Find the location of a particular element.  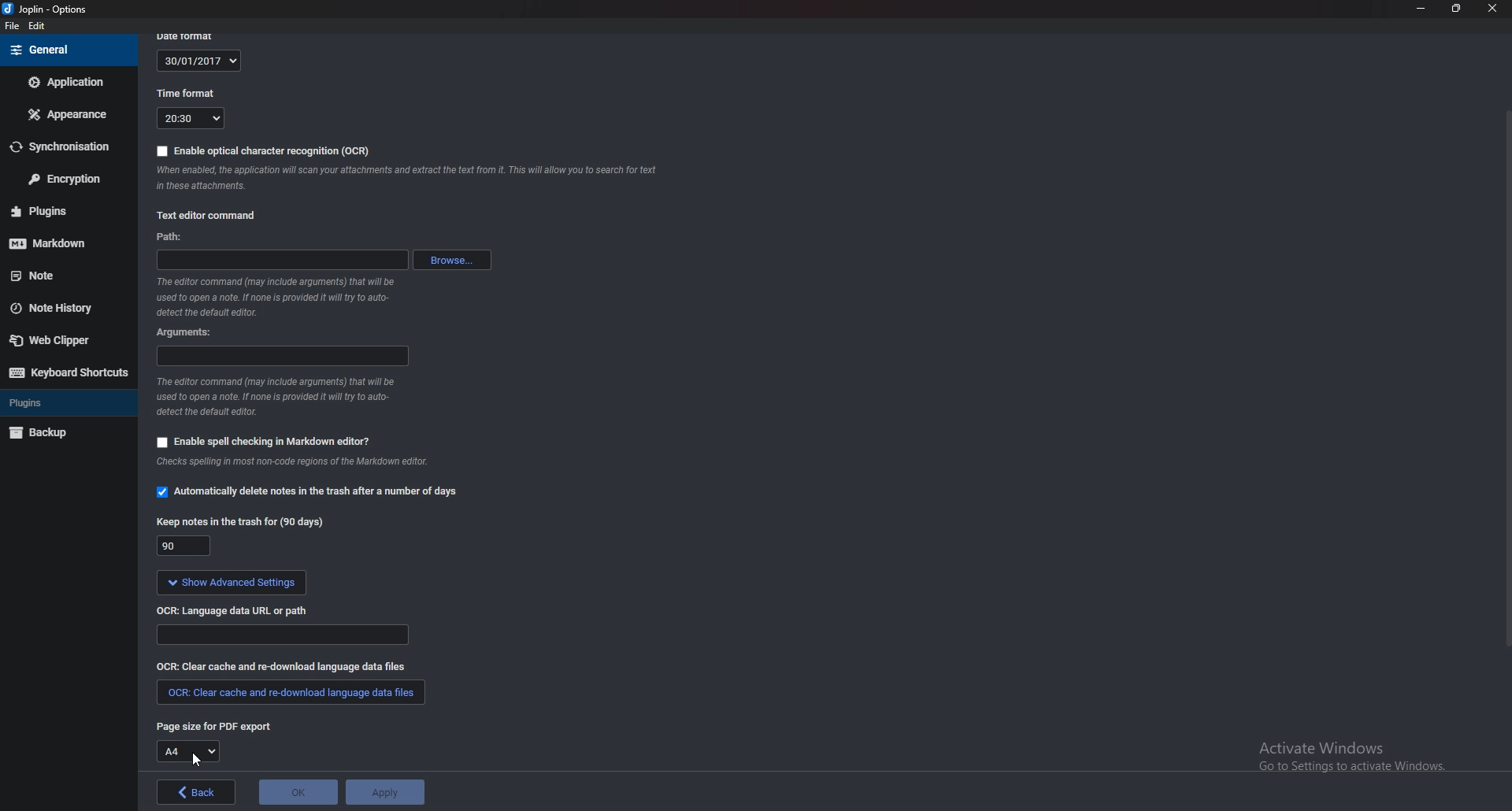

automatically delete notes is located at coordinates (315, 494).